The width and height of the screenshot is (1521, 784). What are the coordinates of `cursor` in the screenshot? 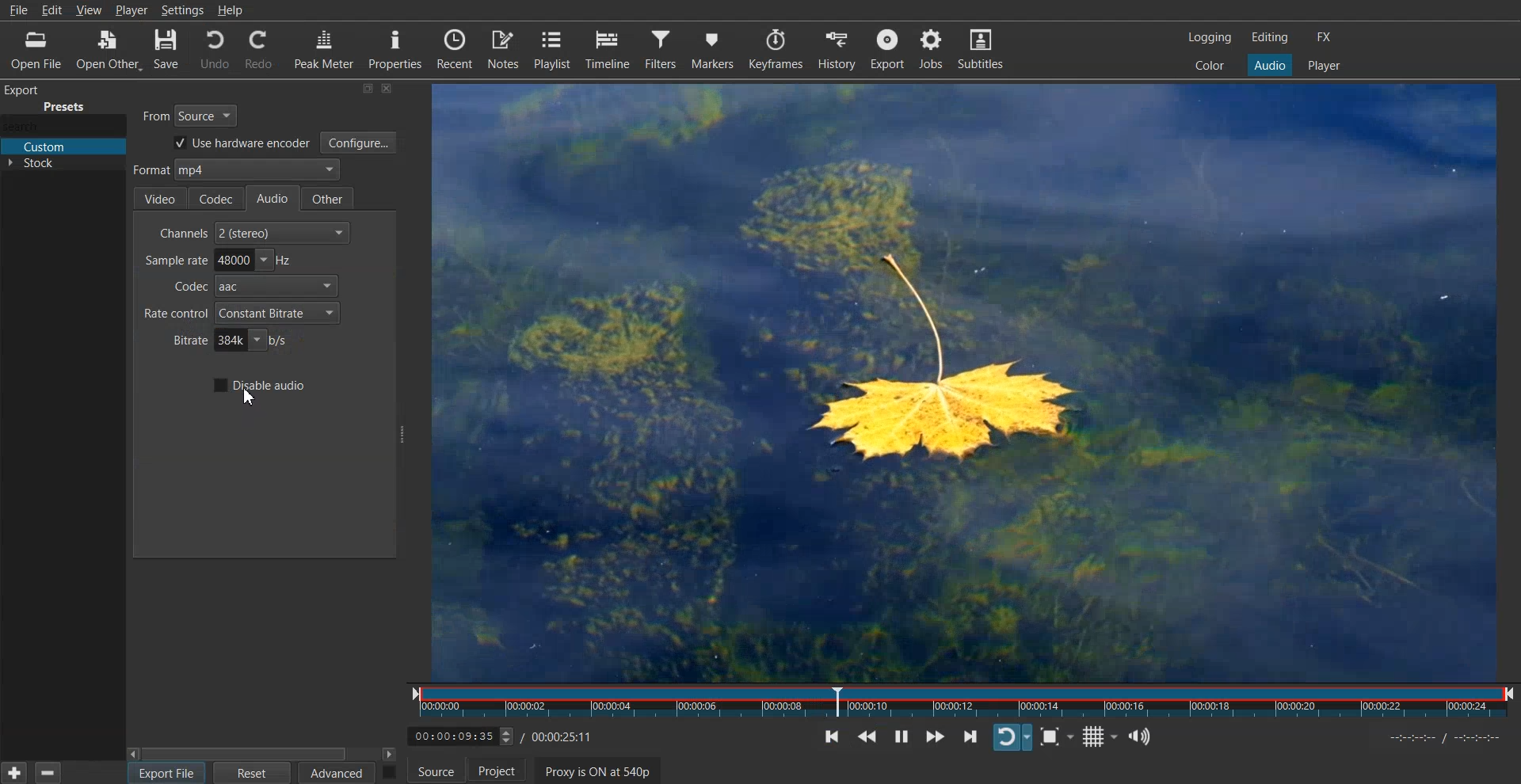 It's located at (249, 402).